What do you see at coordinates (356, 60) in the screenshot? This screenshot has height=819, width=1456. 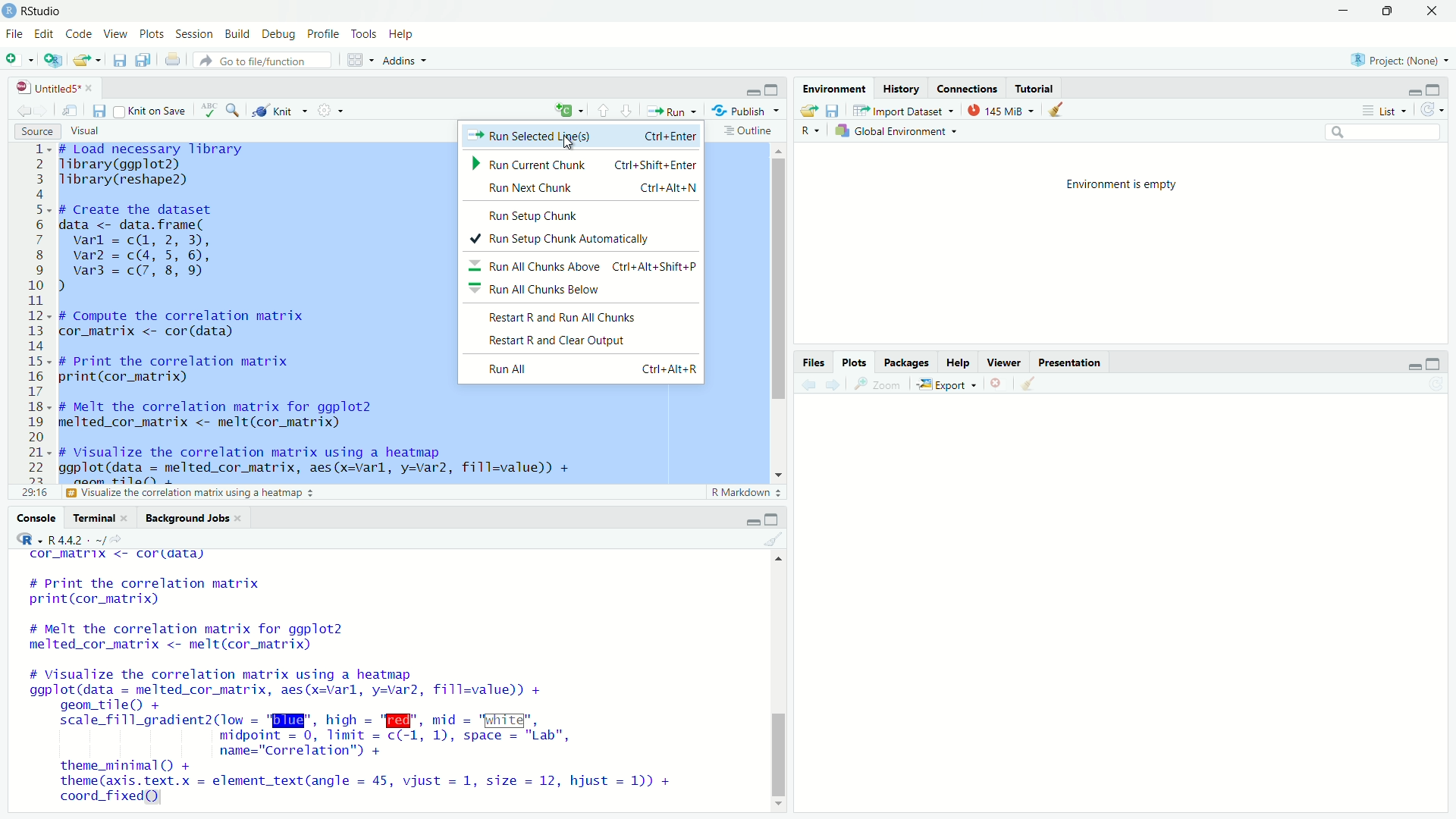 I see `workspace panes` at bounding box center [356, 60].